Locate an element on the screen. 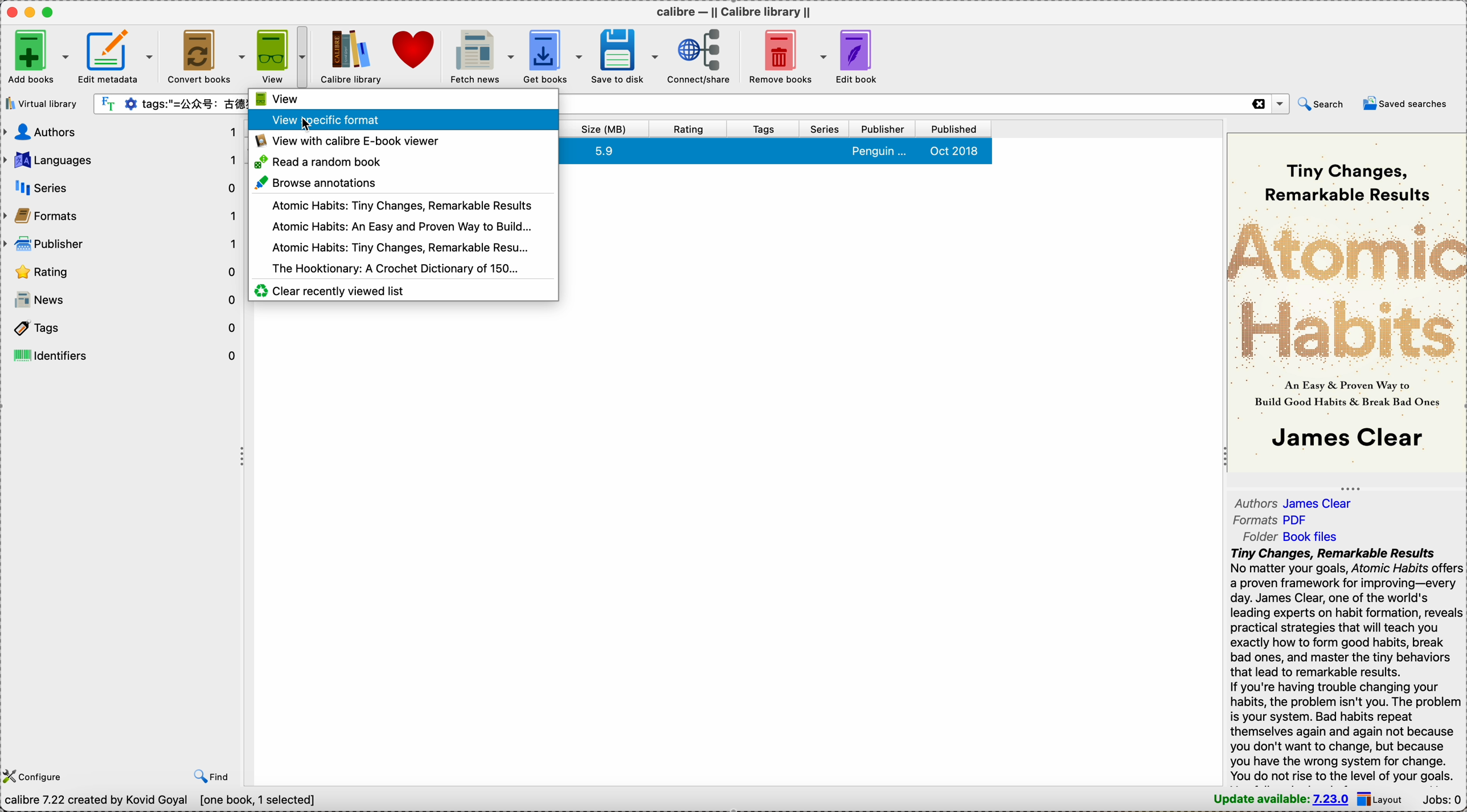  tags is located at coordinates (121, 330).